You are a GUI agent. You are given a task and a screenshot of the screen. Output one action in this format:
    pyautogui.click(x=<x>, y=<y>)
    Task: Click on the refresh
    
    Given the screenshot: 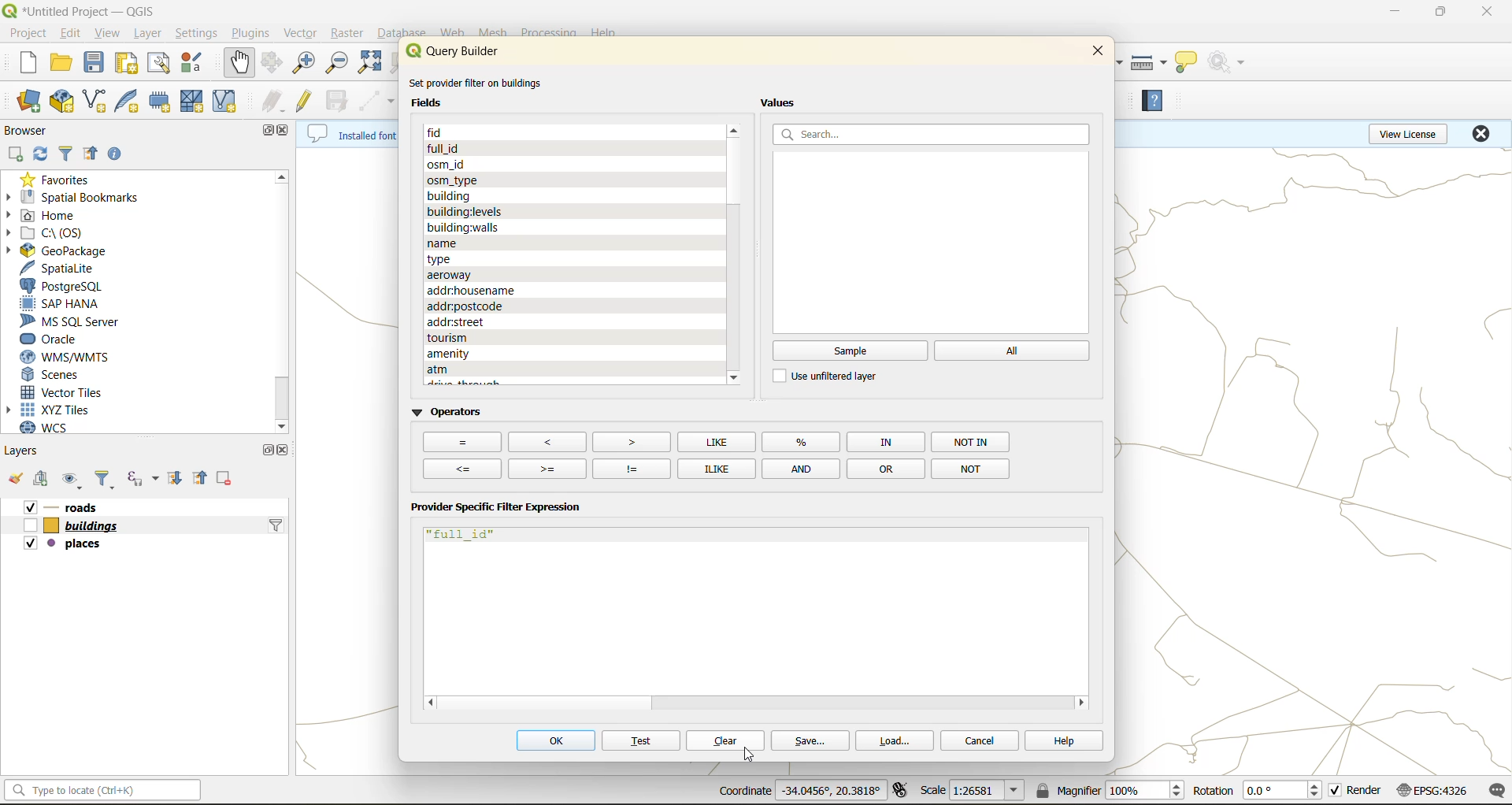 What is the action you would take?
    pyautogui.click(x=42, y=154)
    